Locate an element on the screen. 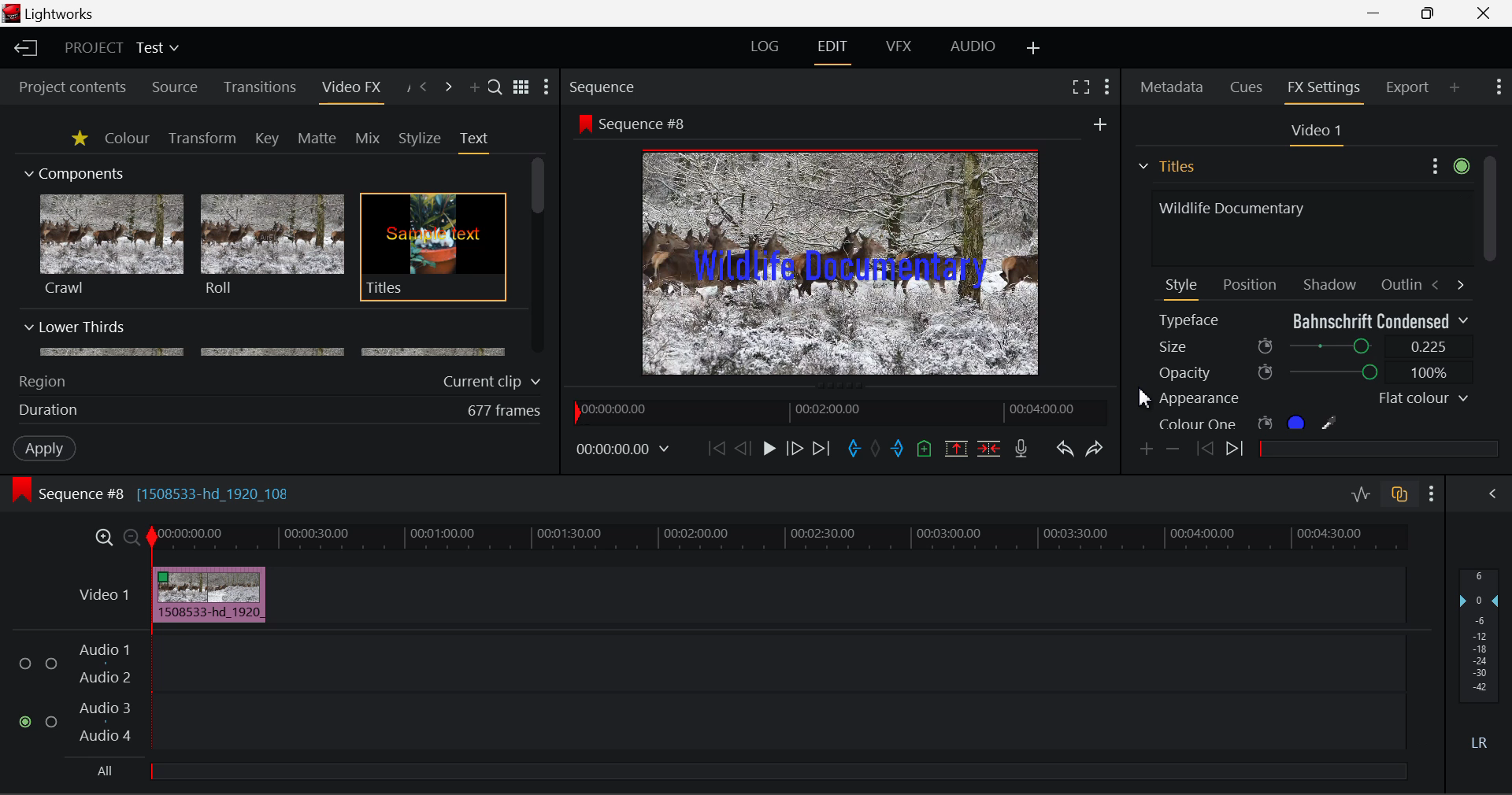 This screenshot has height=795, width=1512. Previous keyframes is located at coordinates (1203, 449).